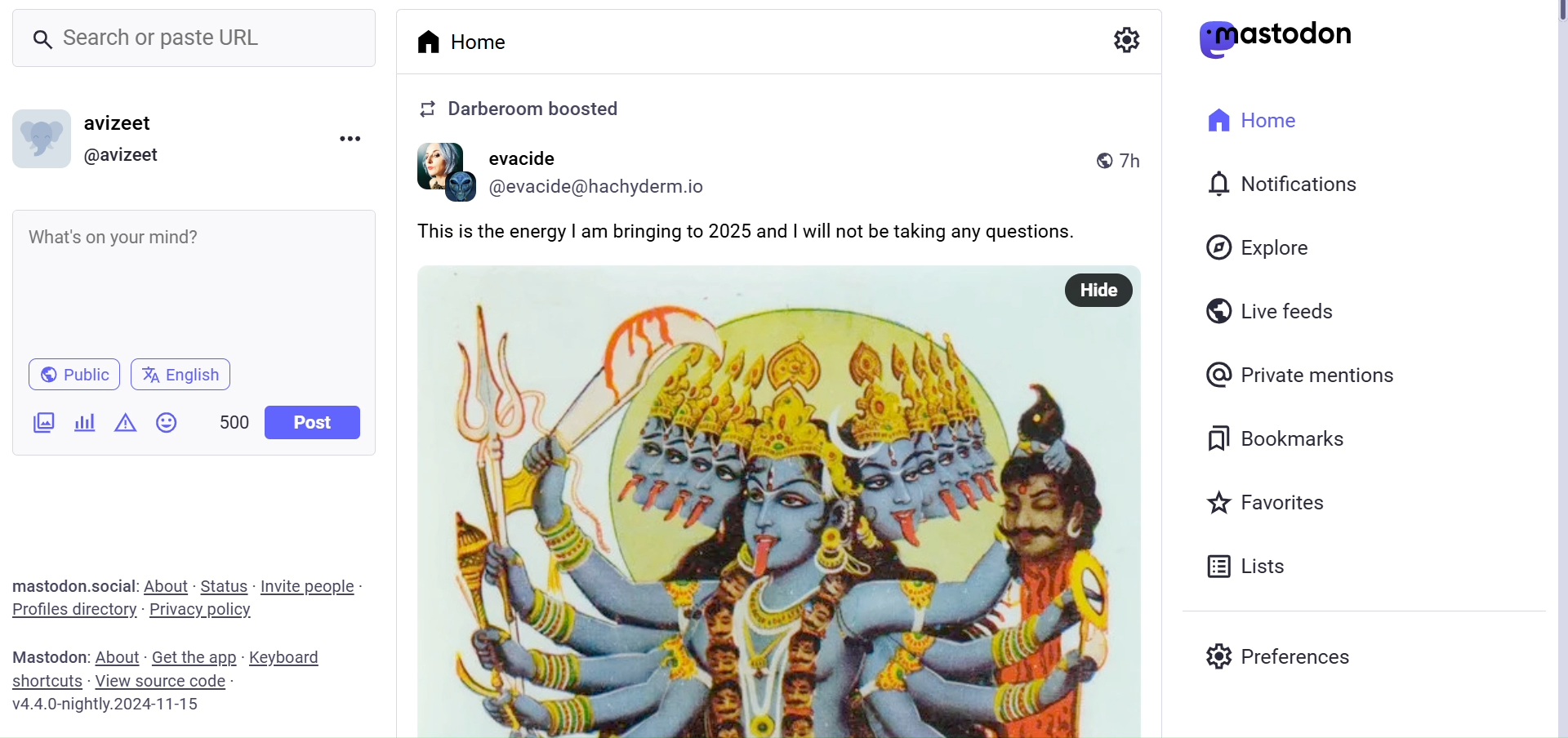  I want to click on Get the app, so click(192, 656).